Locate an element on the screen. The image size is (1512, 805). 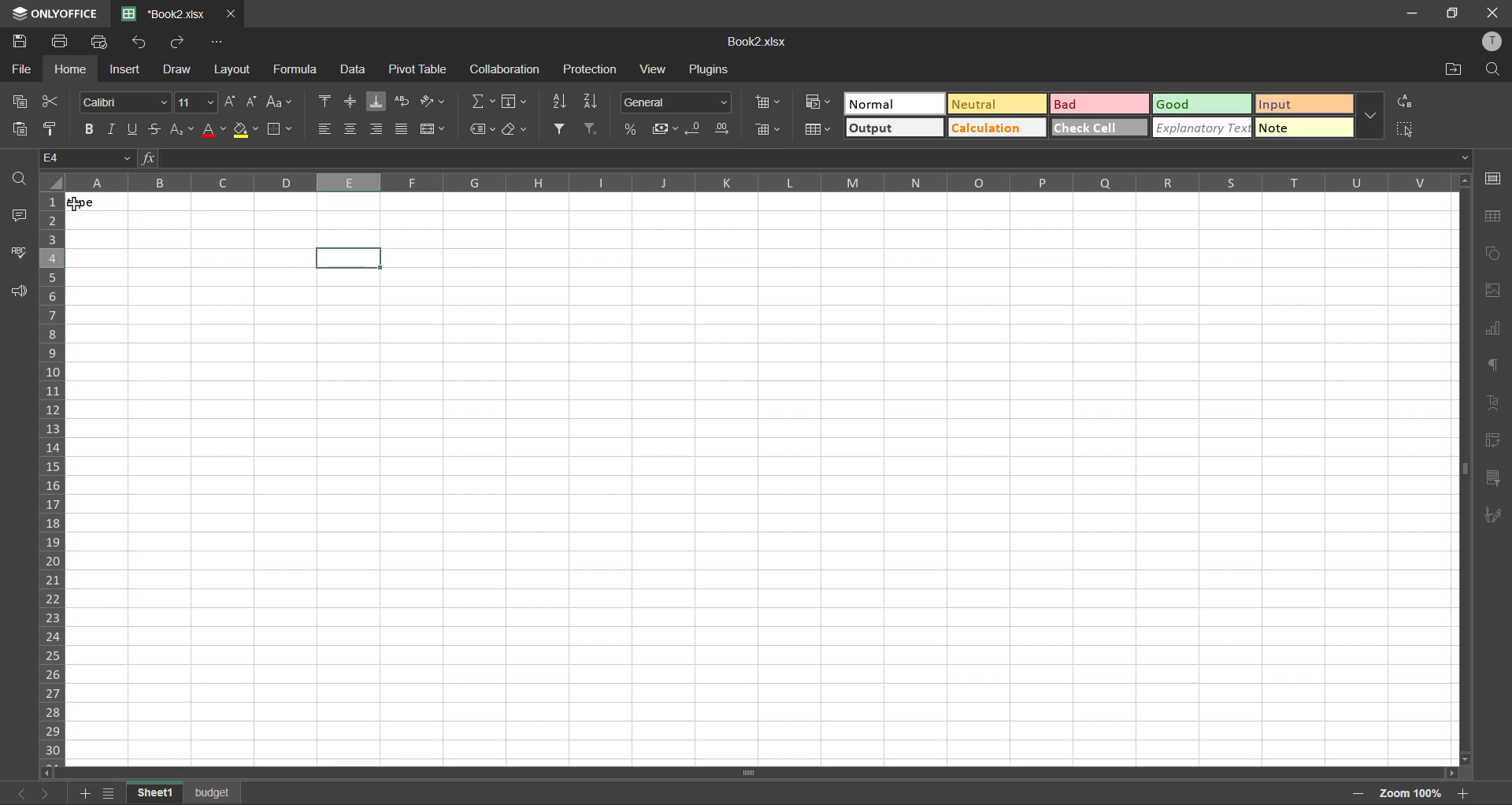
draw is located at coordinates (176, 70).